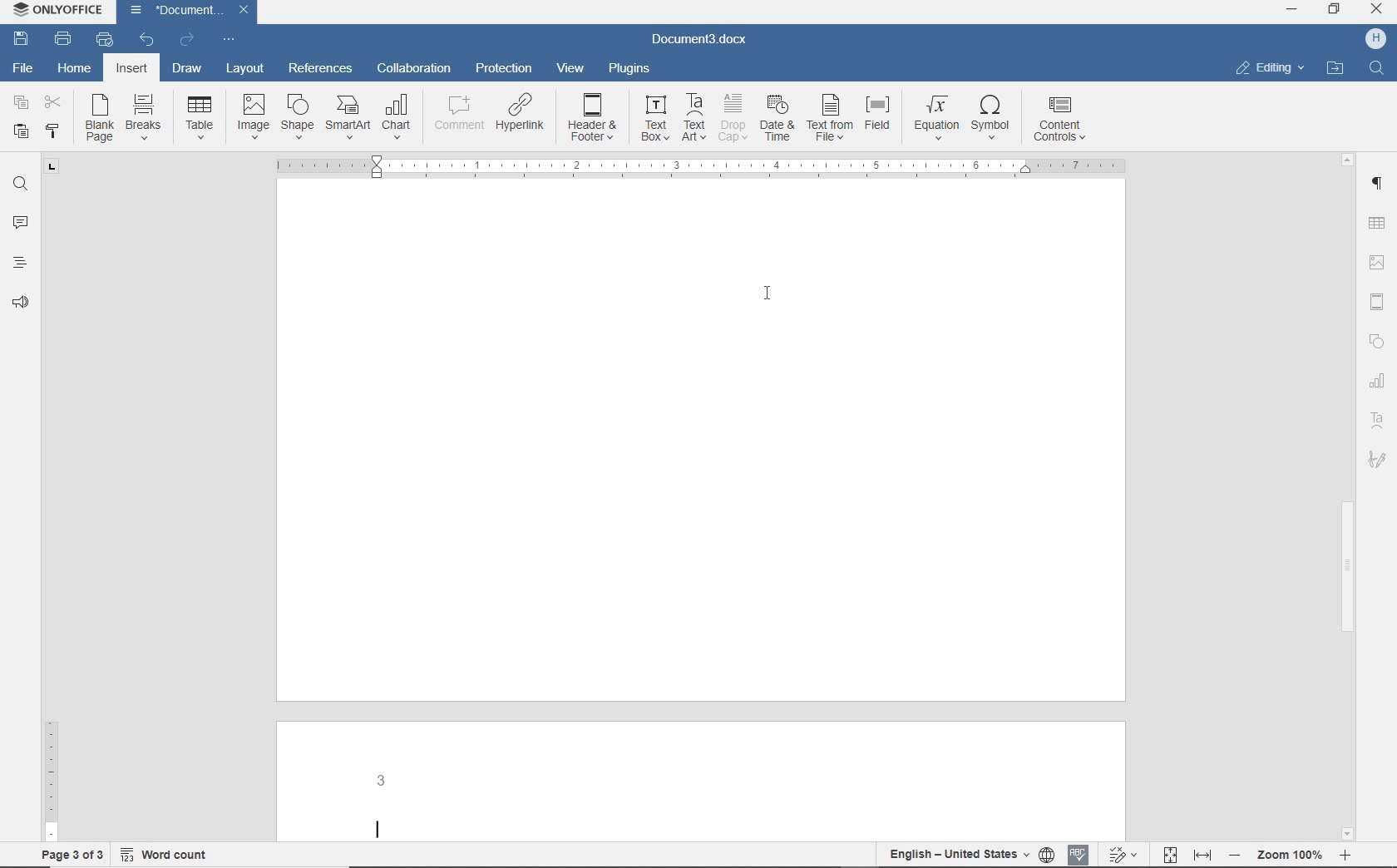 The width and height of the screenshot is (1397, 868). I want to click on SET DOCUMENT LANGUAGE, so click(1048, 855).